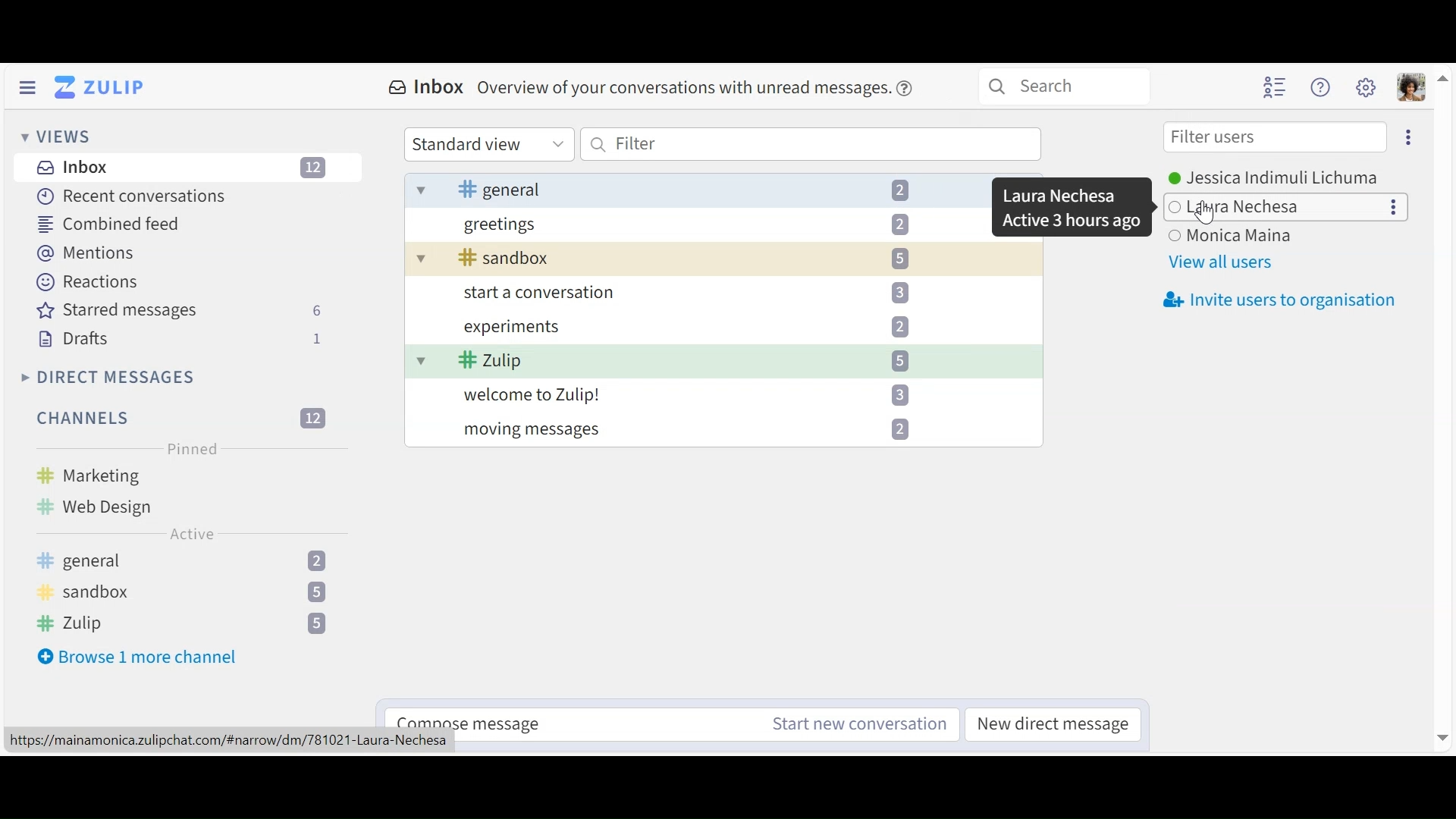  Describe the element at coordinates (1273, 138) in the screenshot. I see `Filter users` at that location.